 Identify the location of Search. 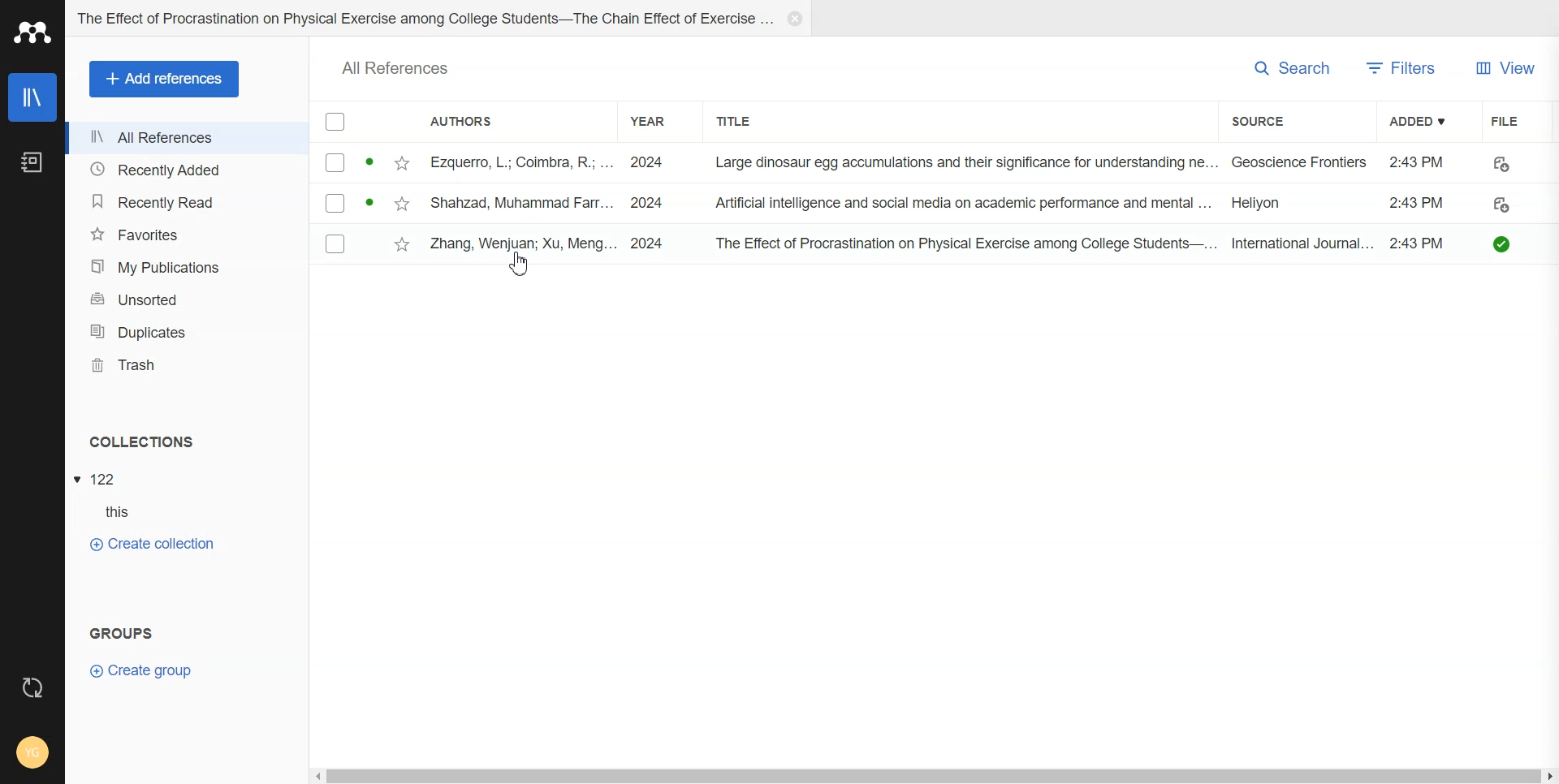
(1294, 69).